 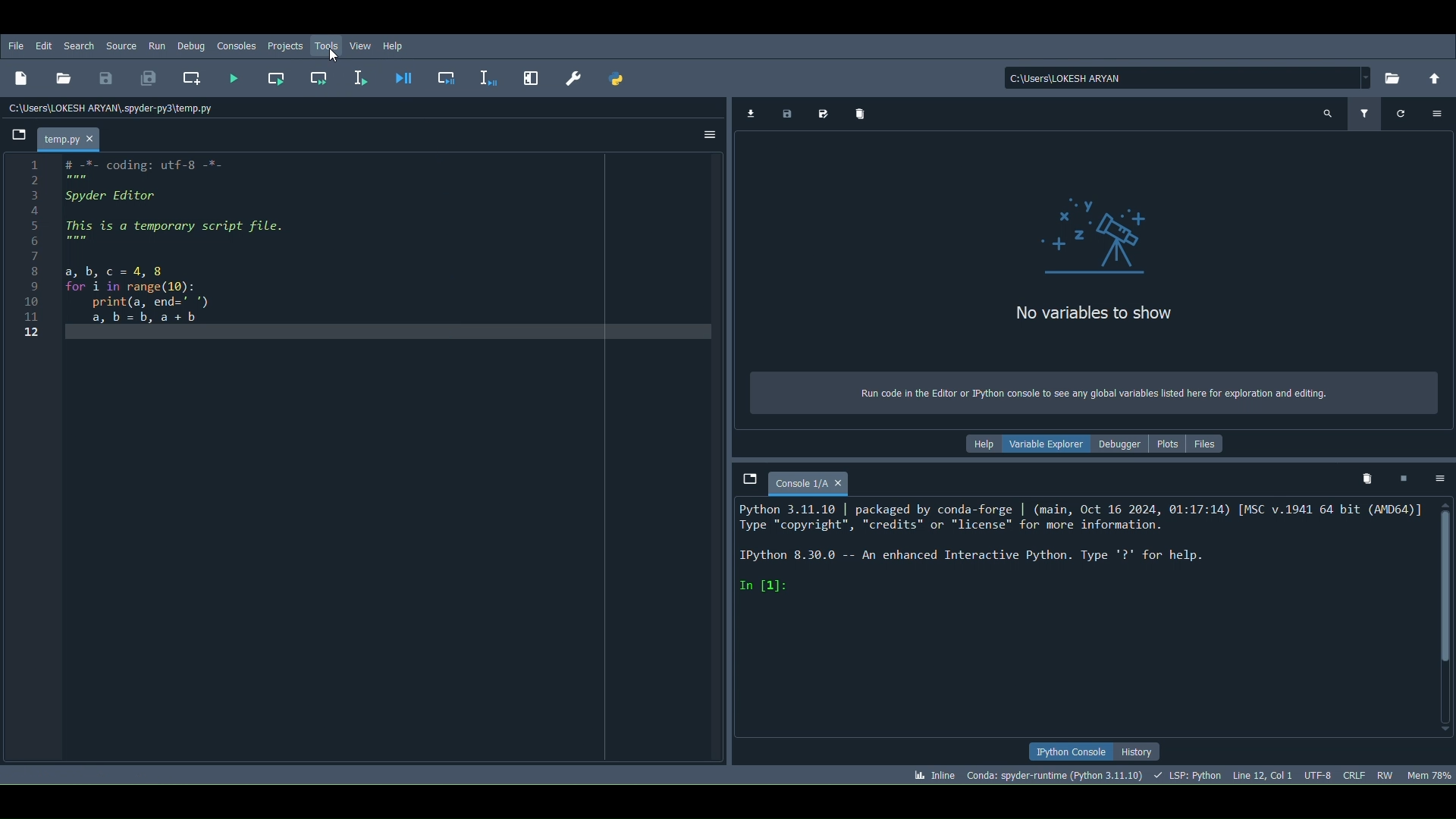 I want to click on Open file (Ctrl + O), so click(x=64, y=76).